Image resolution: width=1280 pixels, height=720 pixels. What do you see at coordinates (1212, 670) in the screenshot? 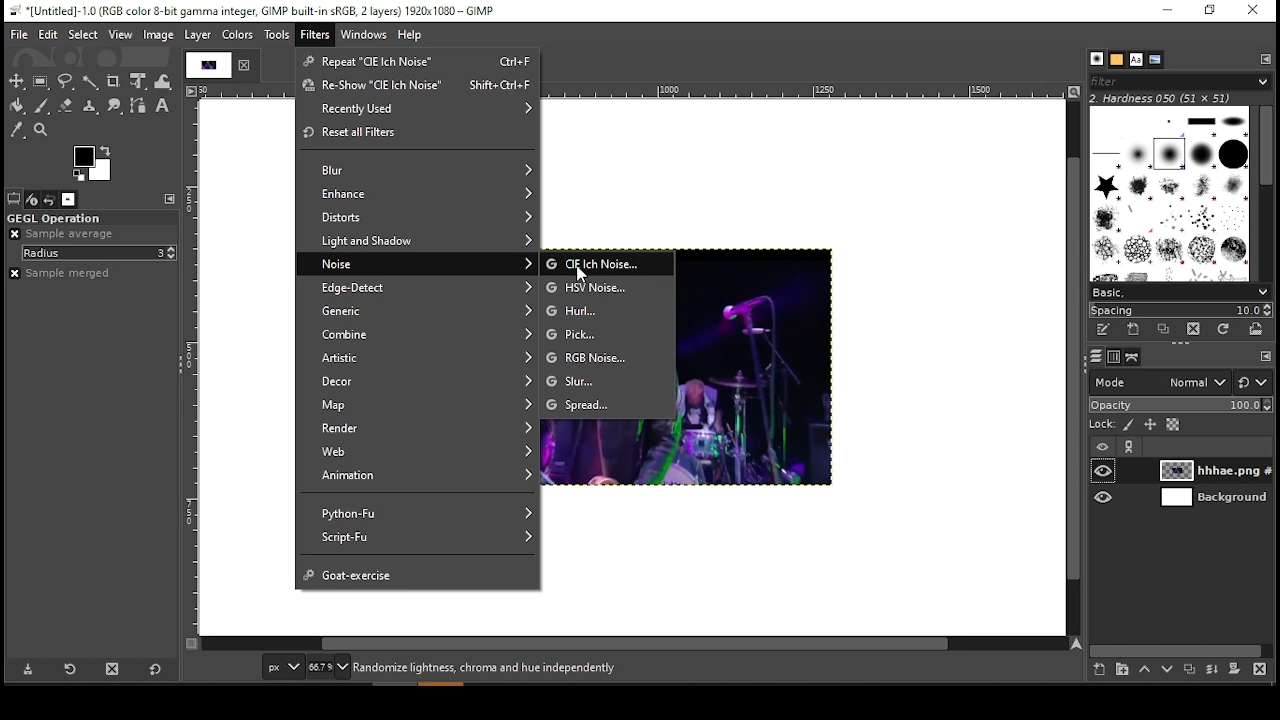
I see `merge layer` at bounding box center [1212, 670].